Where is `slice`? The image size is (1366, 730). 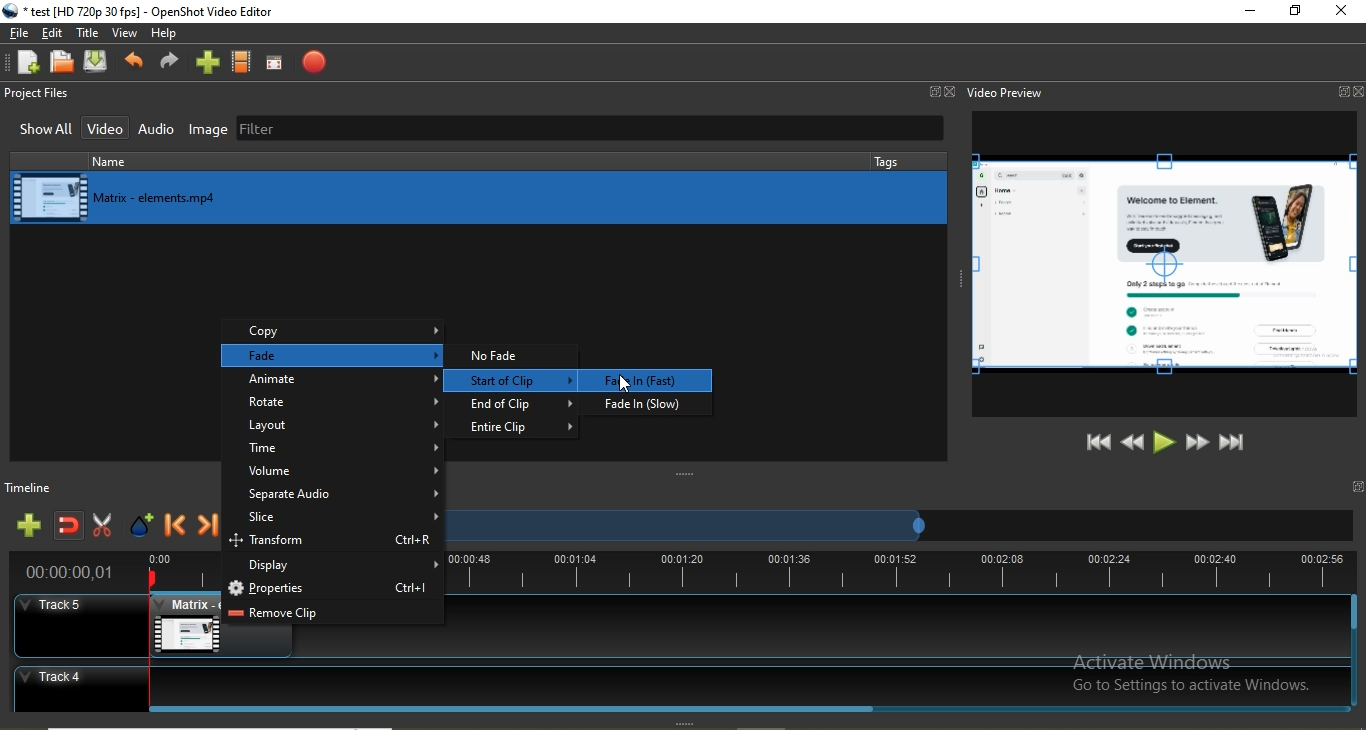
slice is located at coordinates (335, 519).